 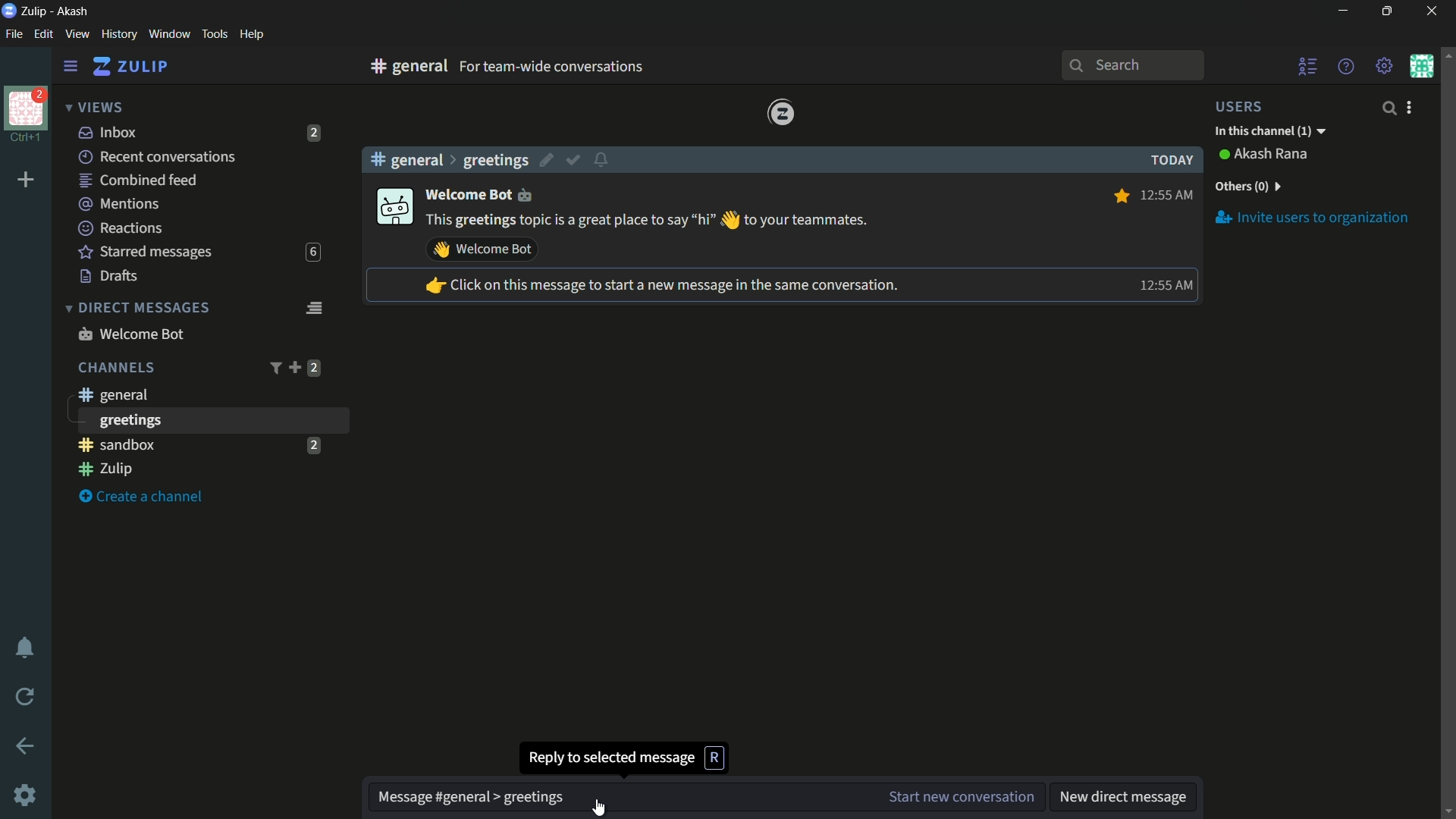 What do you see at coordinates (119, 33) in the screenshot?
I see `history menu` at bounding box center [119, 33].